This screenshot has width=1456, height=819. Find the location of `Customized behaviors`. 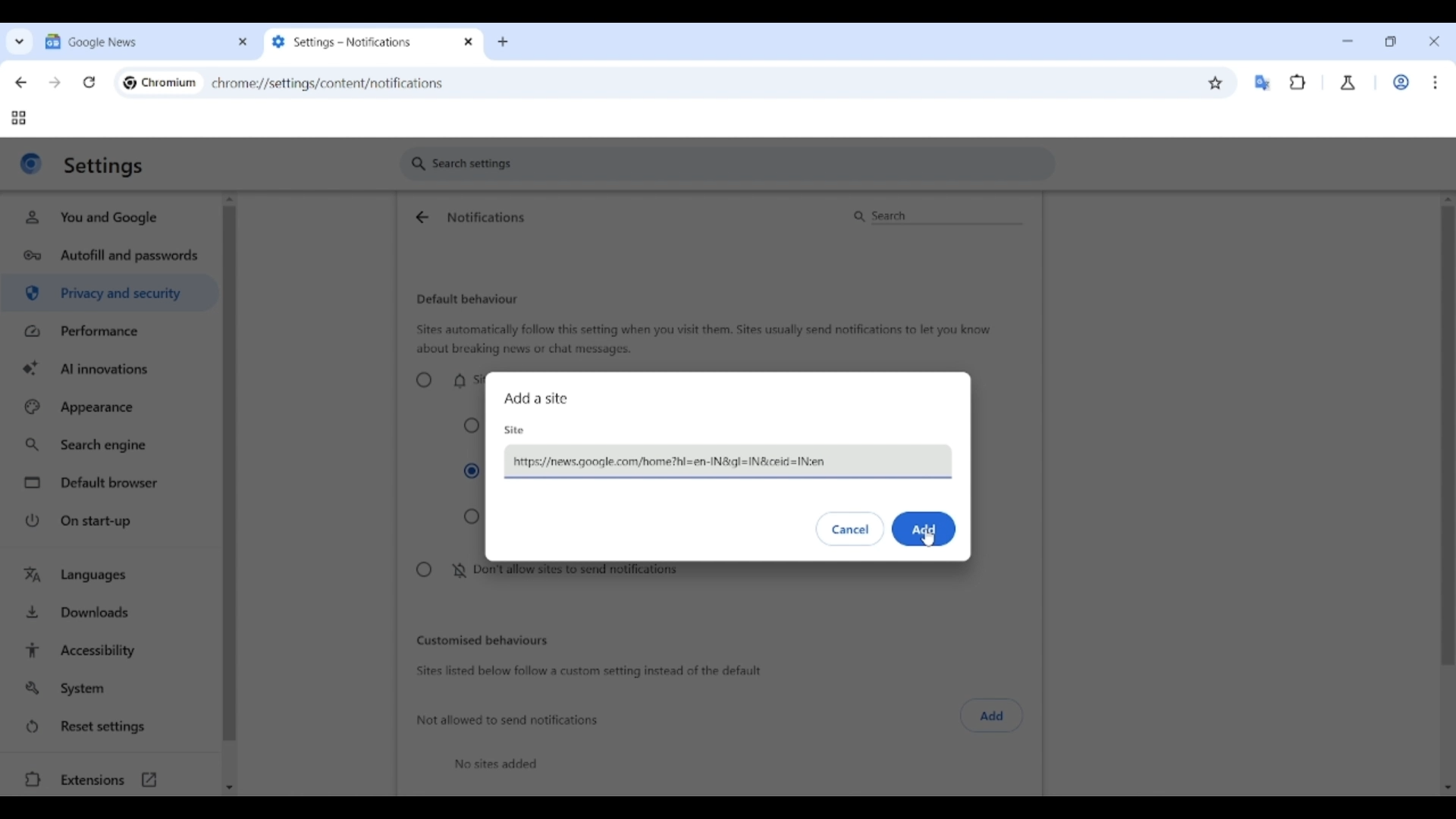

Customized behaviors is located at coordinates (482, 640).